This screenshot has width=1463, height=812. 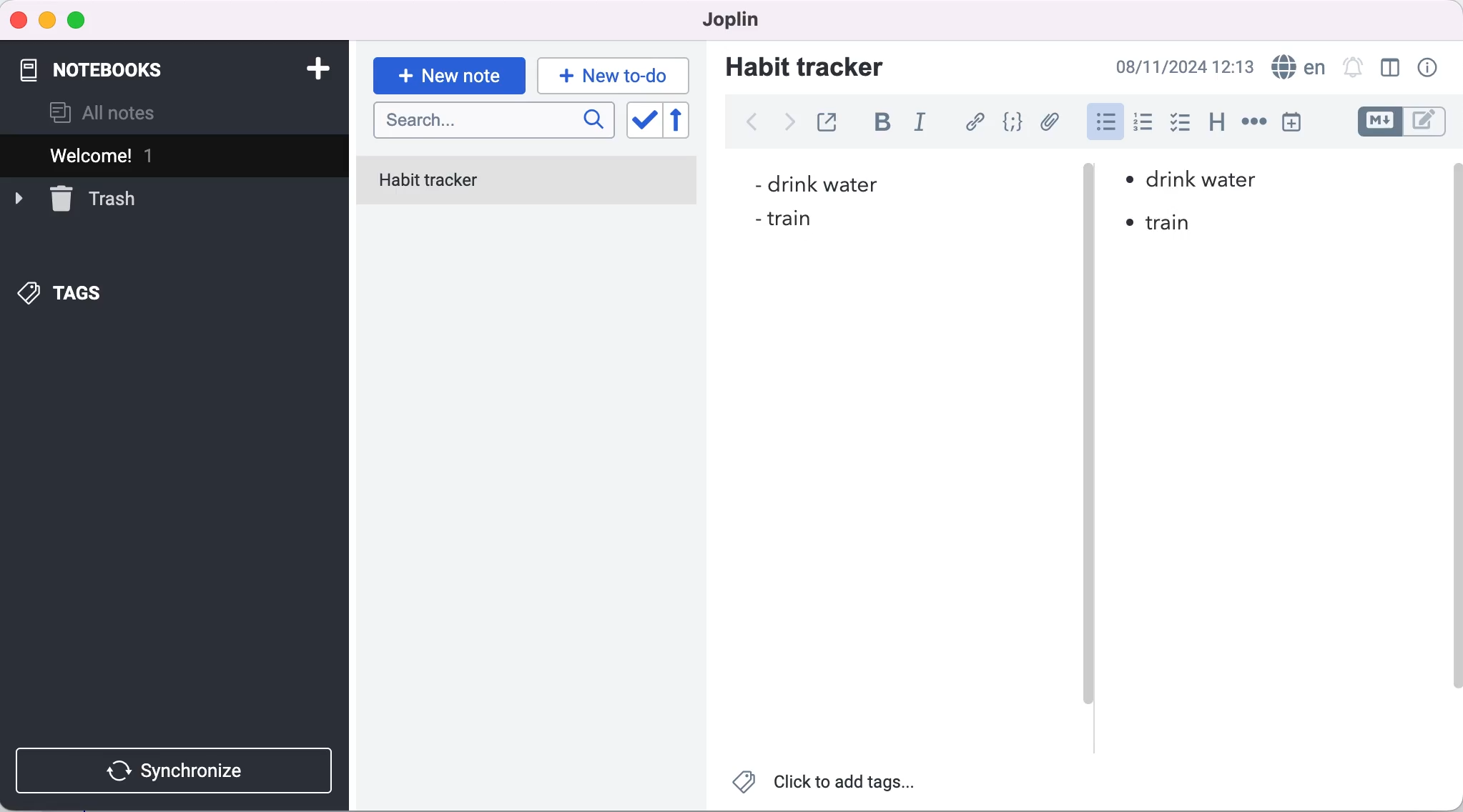 What do you see at coordinates (62, 294) in the screenshot?
I see `tags` at bounding box center [62, 294].